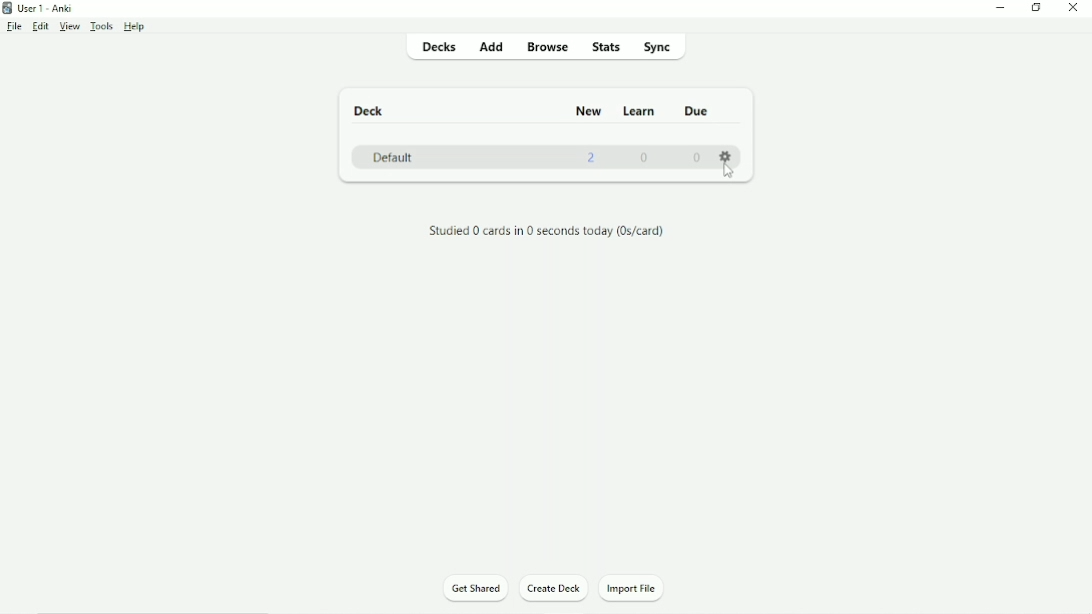  I want to click on Decks, so click(435, 46).